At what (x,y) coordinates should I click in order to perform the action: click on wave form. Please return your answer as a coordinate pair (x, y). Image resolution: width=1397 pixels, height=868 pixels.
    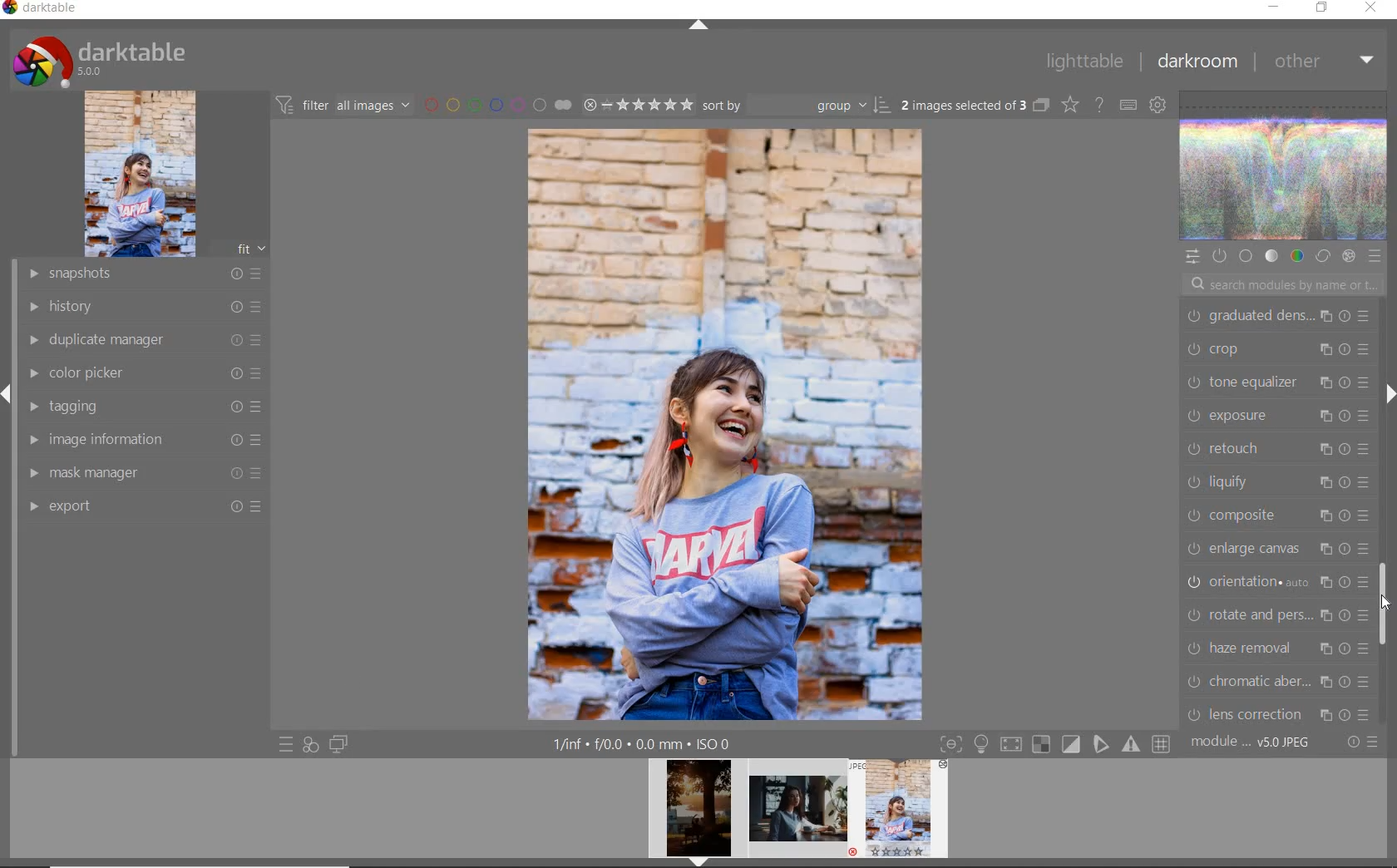
    Looking at the image, I should click on (1285, 167).